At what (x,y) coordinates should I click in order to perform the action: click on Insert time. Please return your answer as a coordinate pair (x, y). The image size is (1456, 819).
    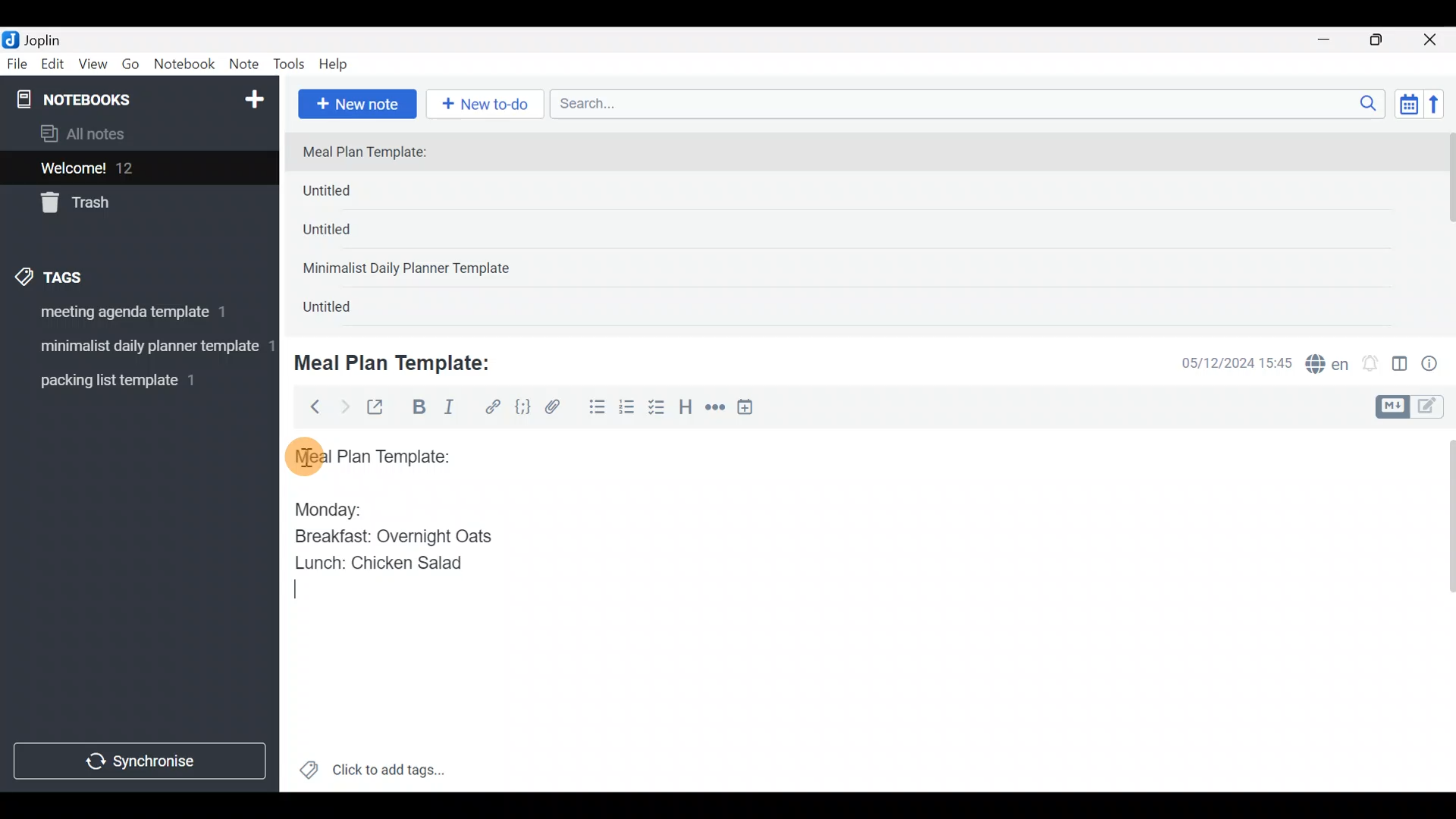
    Looking at the image, I should click on (752, 409).